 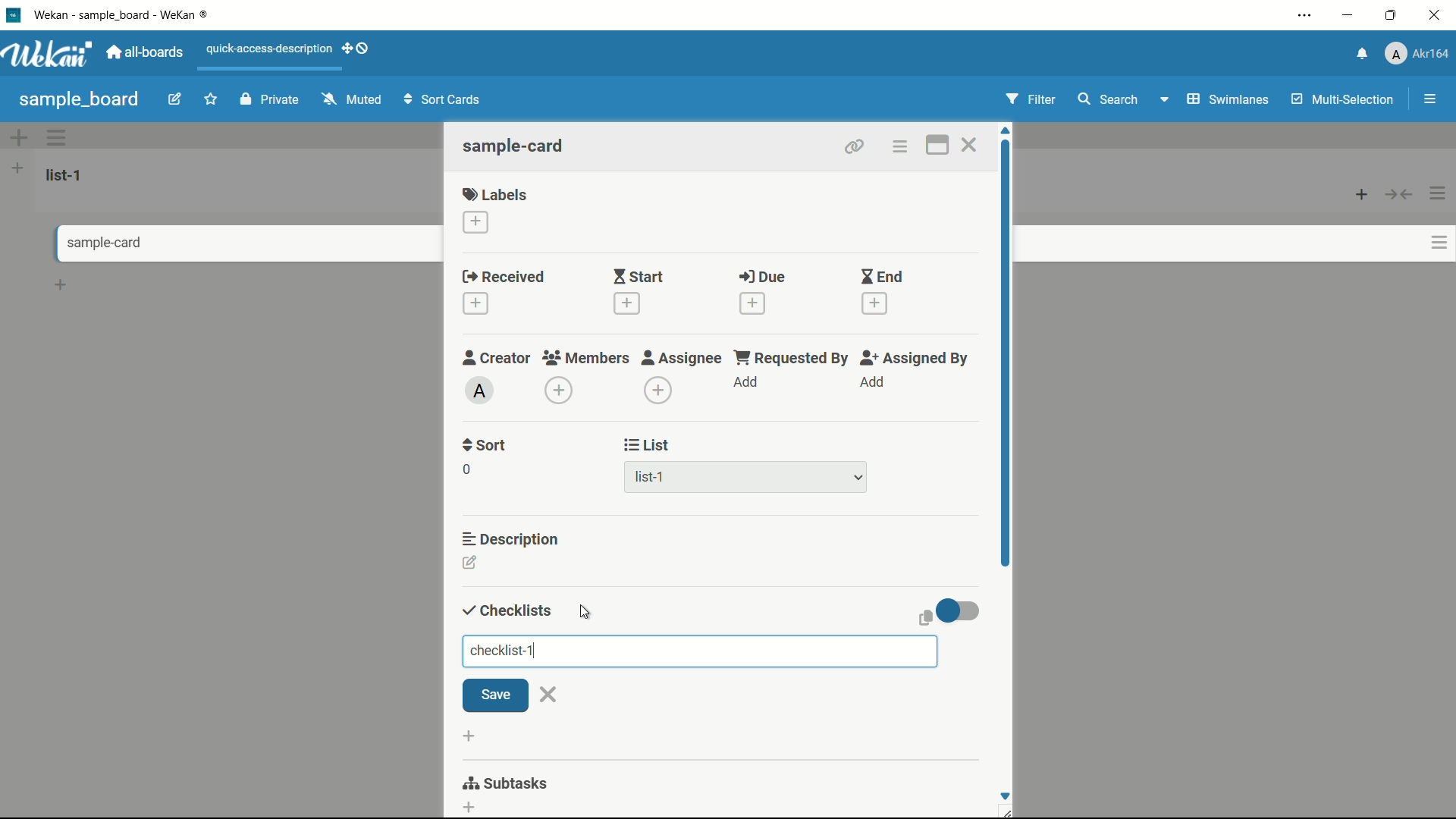 What do you see at coordinates (871, 382) in the screenshot?
I see `add` at bounding box center [871, 382].